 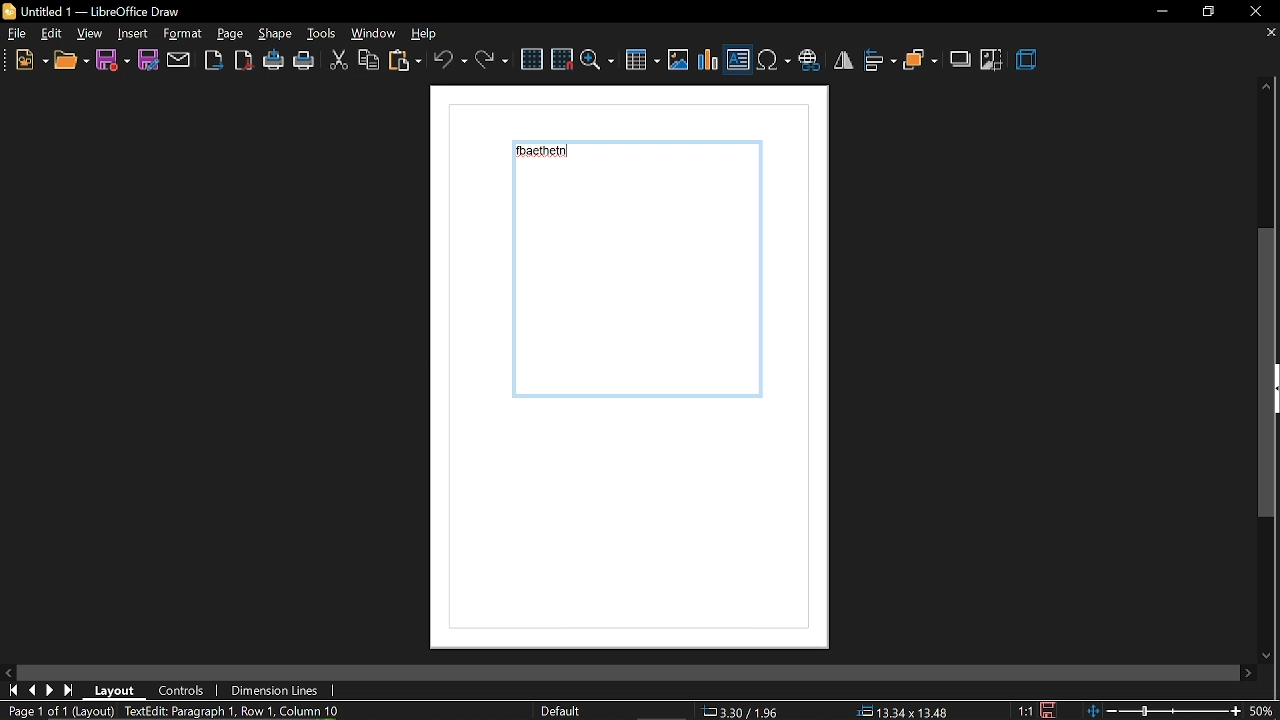 What do you see at coordinates (809, 62) in the screenshot?
I see `insert hyperlink` at bounding box center [809, 62].